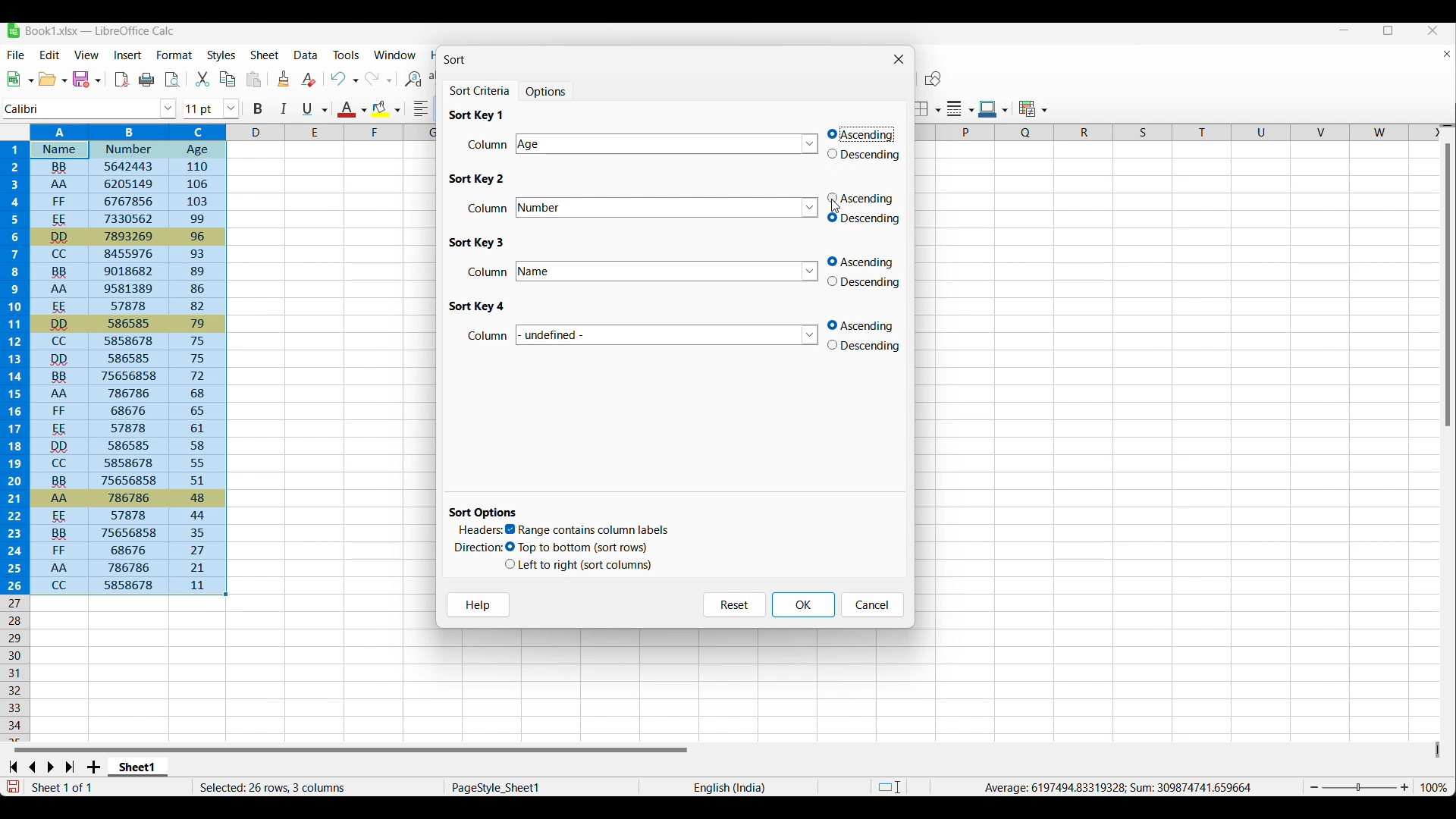  Describe the element at coordinates (146, 80) in the screenshot. I see `Print` at that location.